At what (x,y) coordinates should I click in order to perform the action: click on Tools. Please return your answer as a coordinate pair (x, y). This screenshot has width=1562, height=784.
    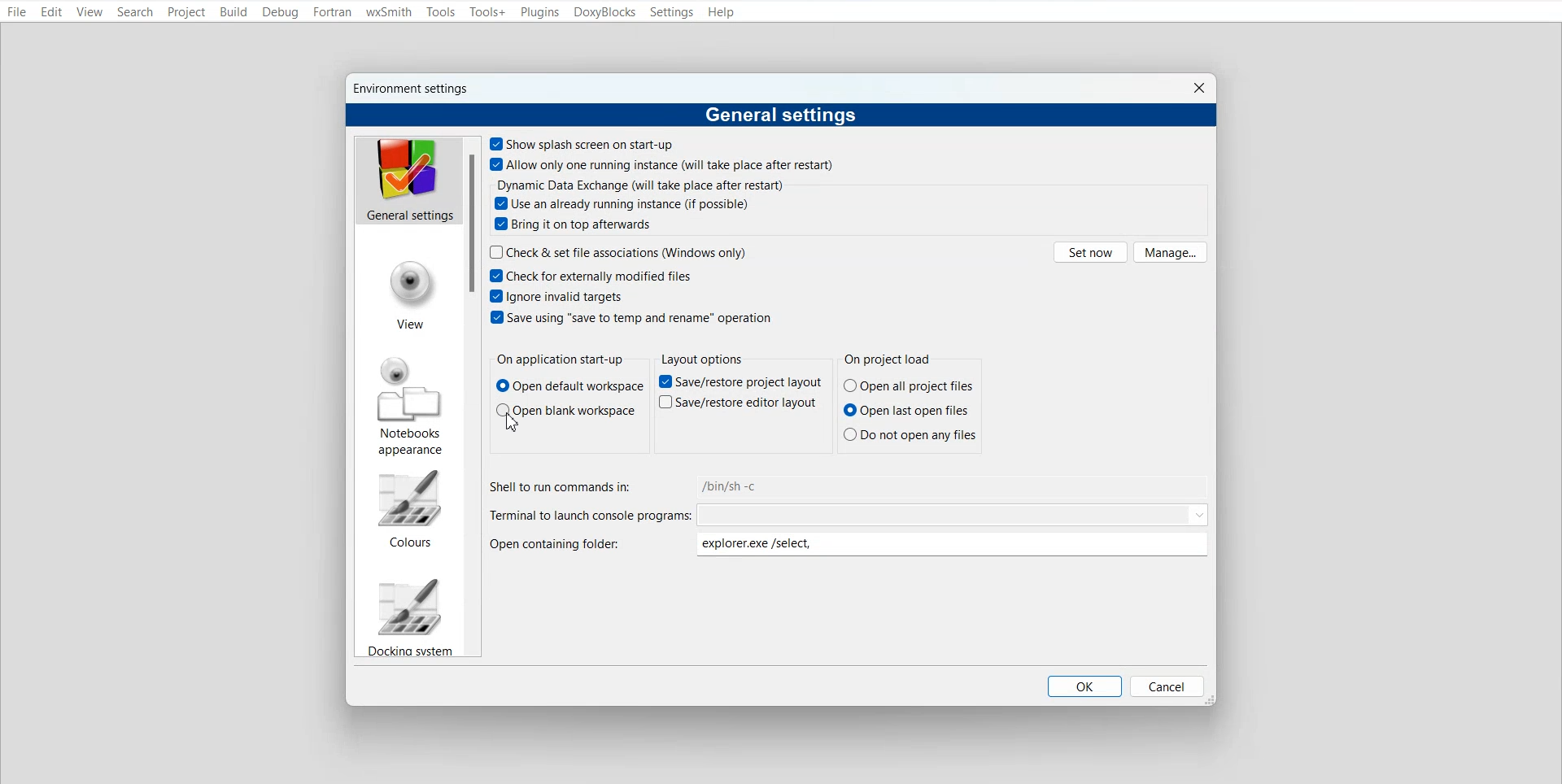
    Looking at the image, I should click on (442, 12).